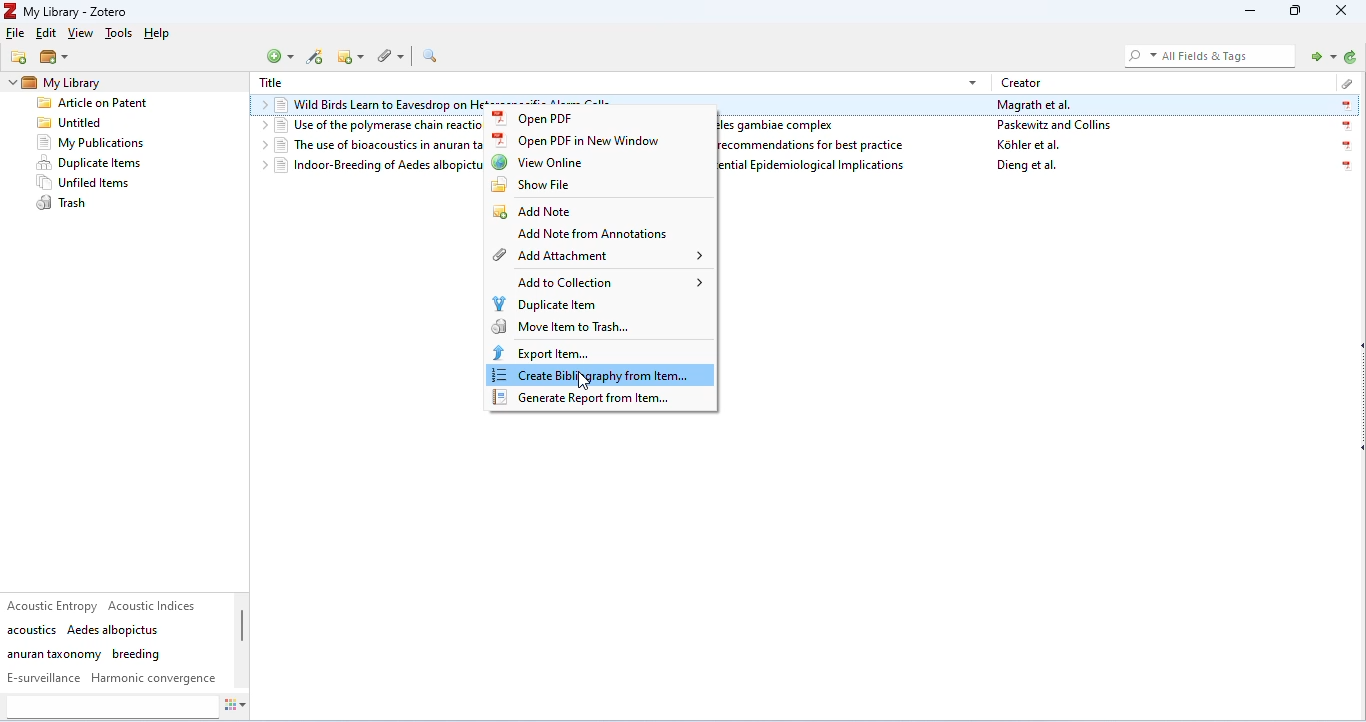  What do you see at coordinates (244, 707) in the screenshot?
I see `actions` at bounding box center [244, 707].